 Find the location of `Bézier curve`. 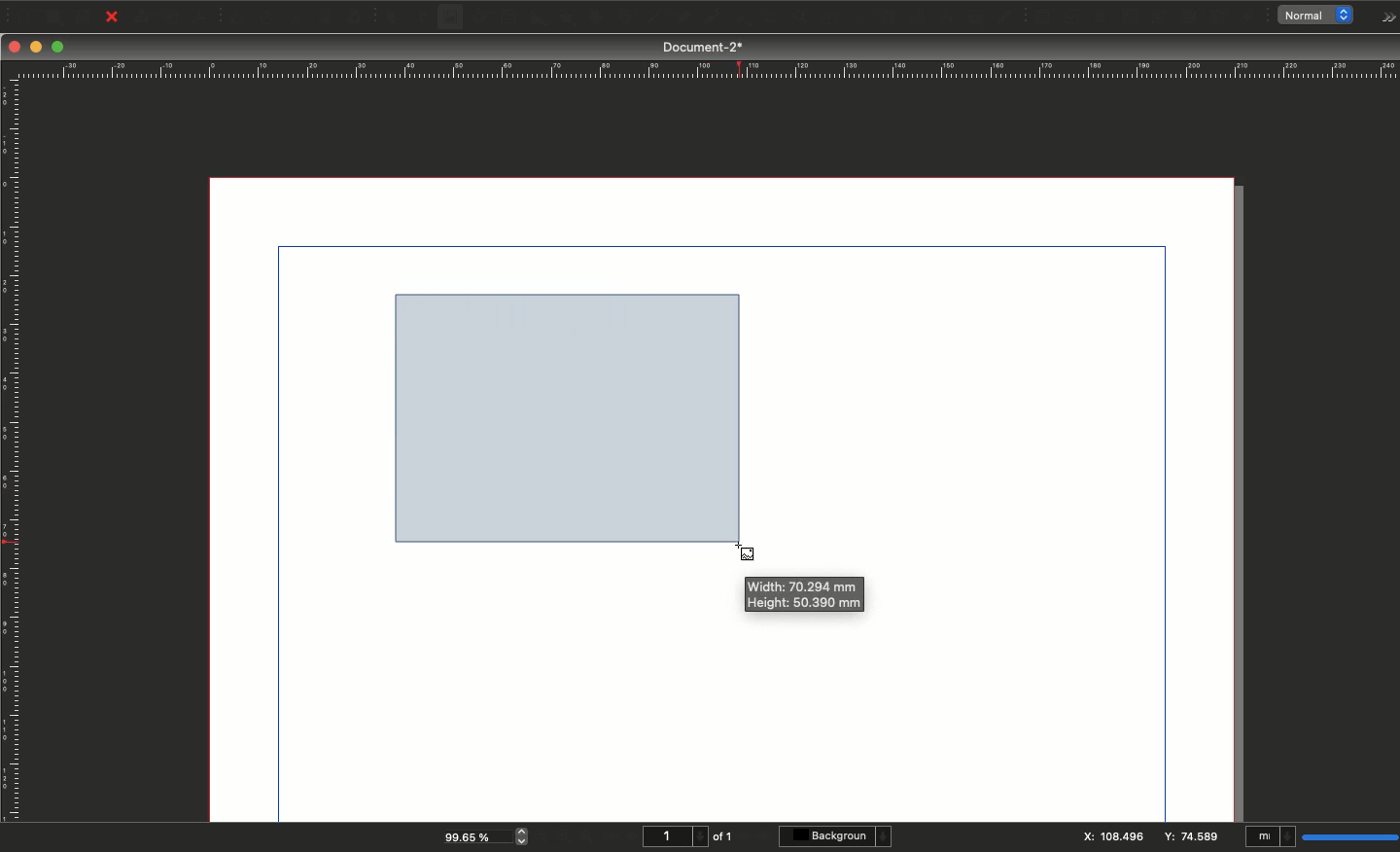

Bézier curve is located at coordinates (681, 18).